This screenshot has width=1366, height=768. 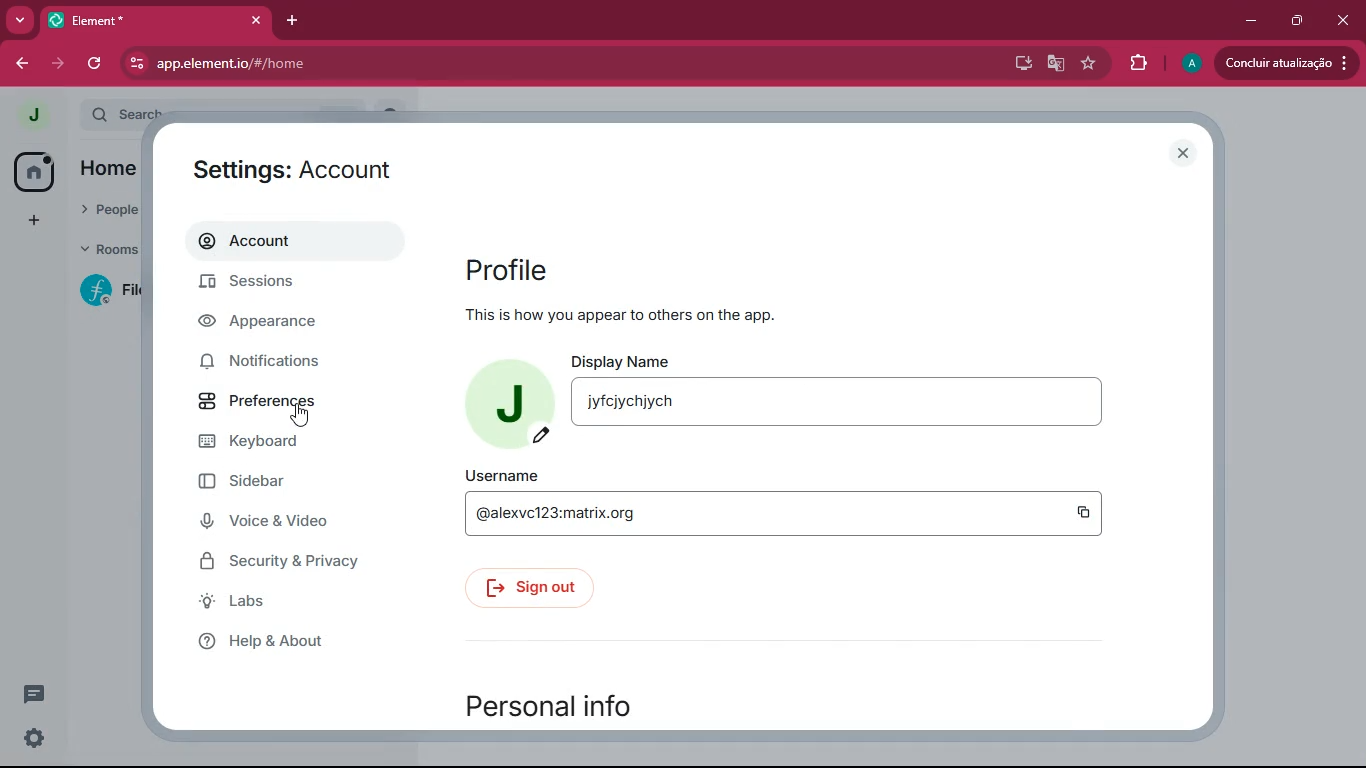 What do you see at coordinates (18, 64) in the screenshot?
I see `back` at bounding box center [18, 64].